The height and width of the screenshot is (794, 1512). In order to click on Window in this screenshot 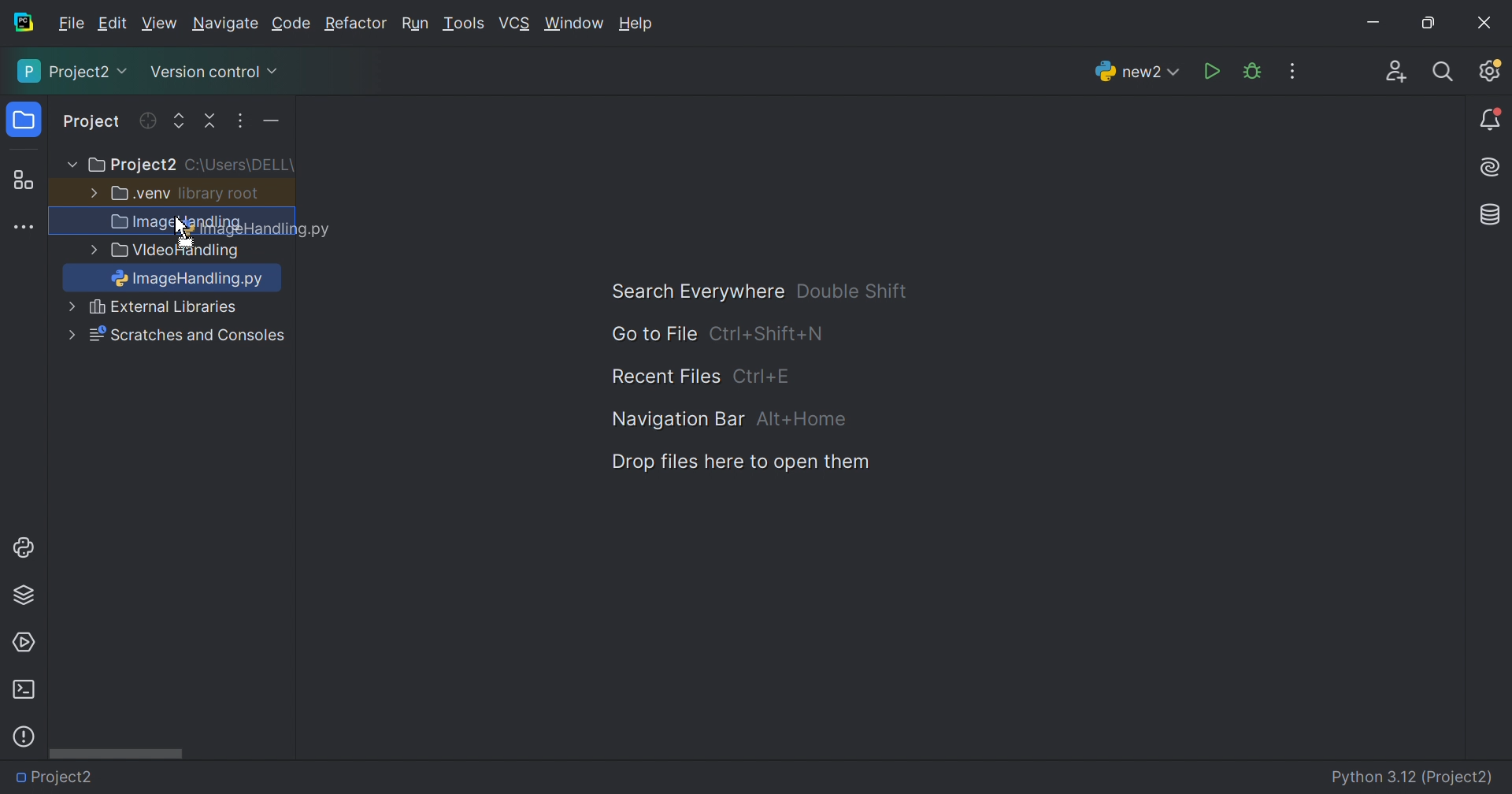, I will do `click(575, 25)`.